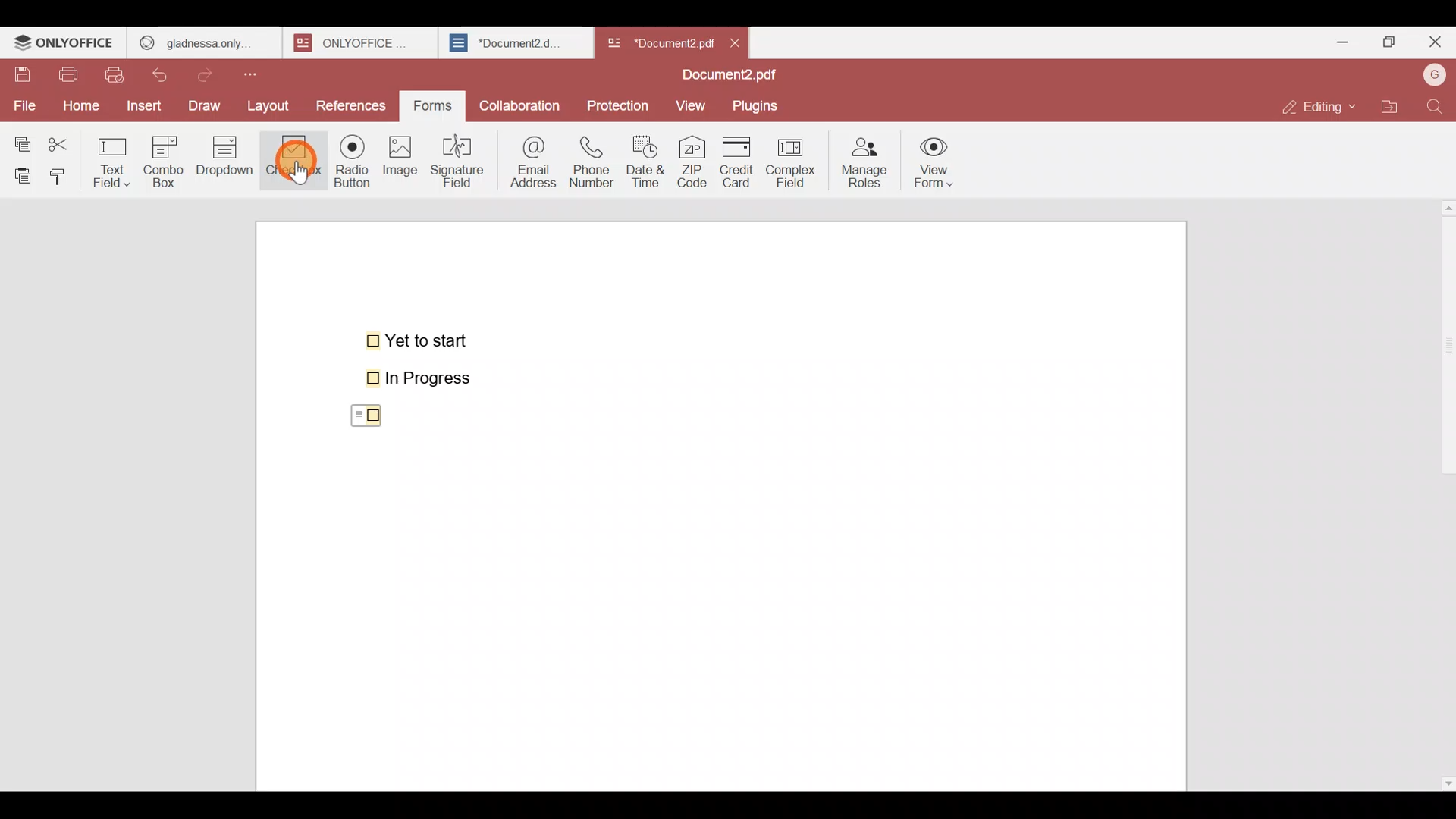 This screenshot has width=1456, height=819. I want to click on Signature field, so click(462, 159).